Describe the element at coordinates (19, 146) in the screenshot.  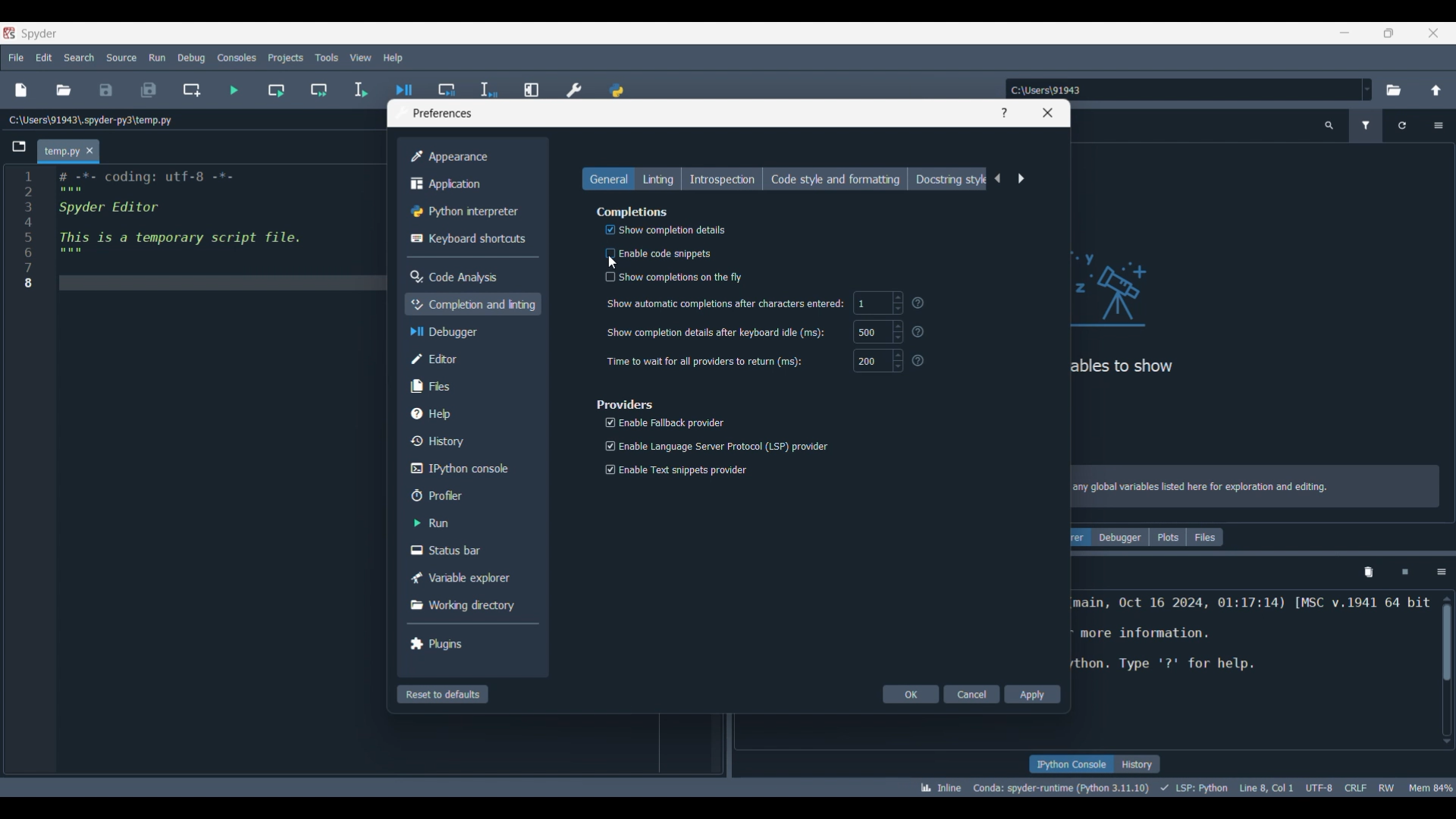
I see `Browse tabs` at that location.